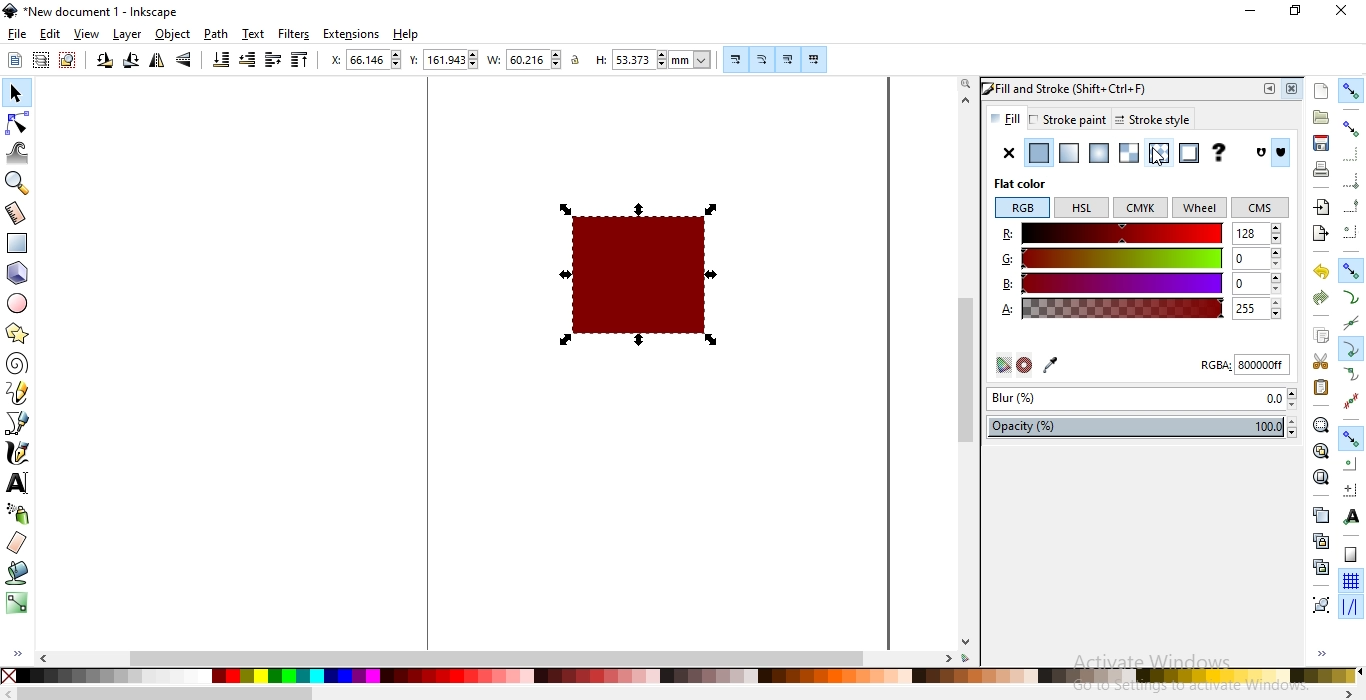 The image size is (1366, 700). Describe the element at coordinates (1141, 208) in the screenshot. I see `CMYK` at that location.